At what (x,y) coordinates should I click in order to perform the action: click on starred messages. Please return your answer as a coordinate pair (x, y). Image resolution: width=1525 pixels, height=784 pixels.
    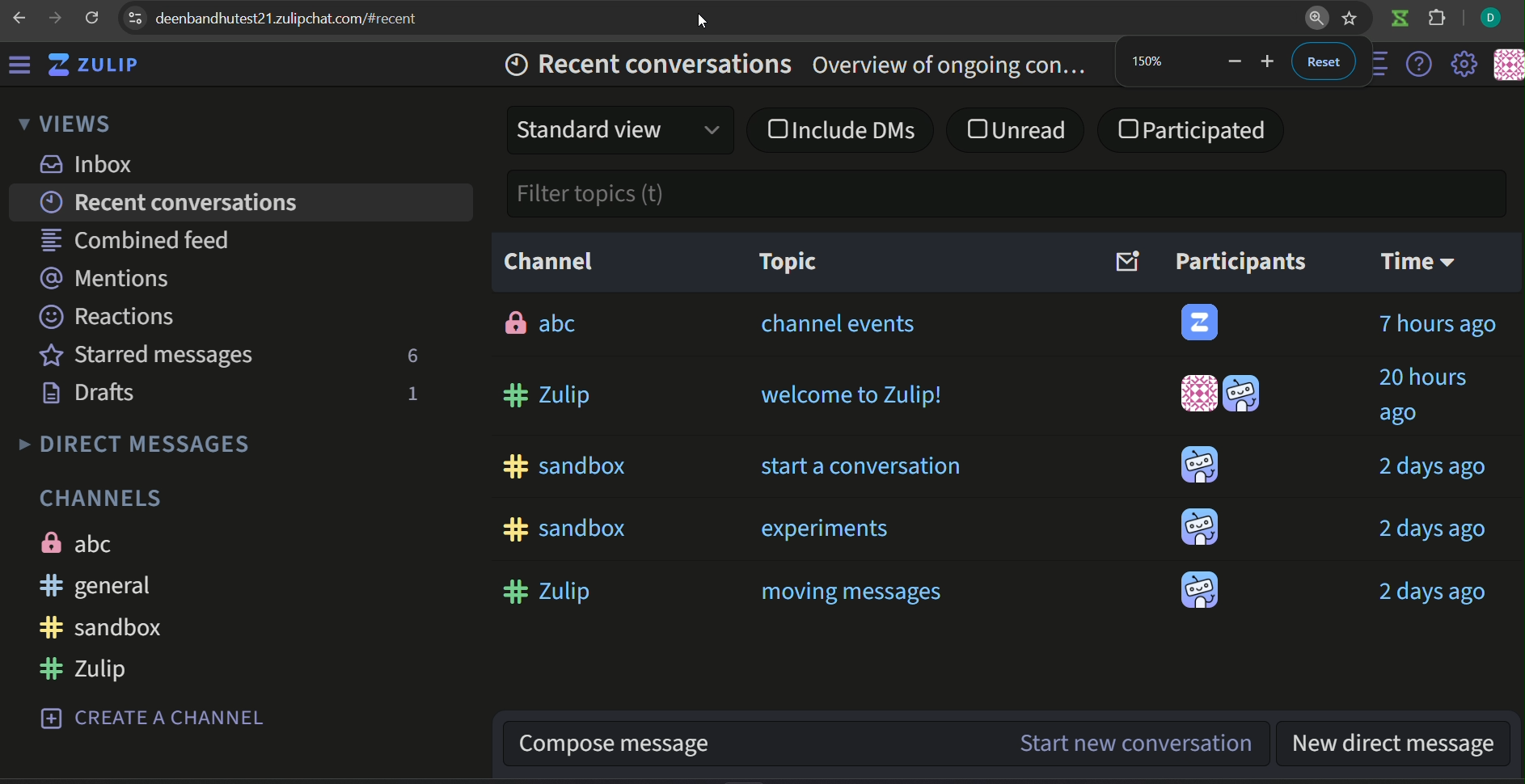
    Looking at the image, I should click on (146, 356).